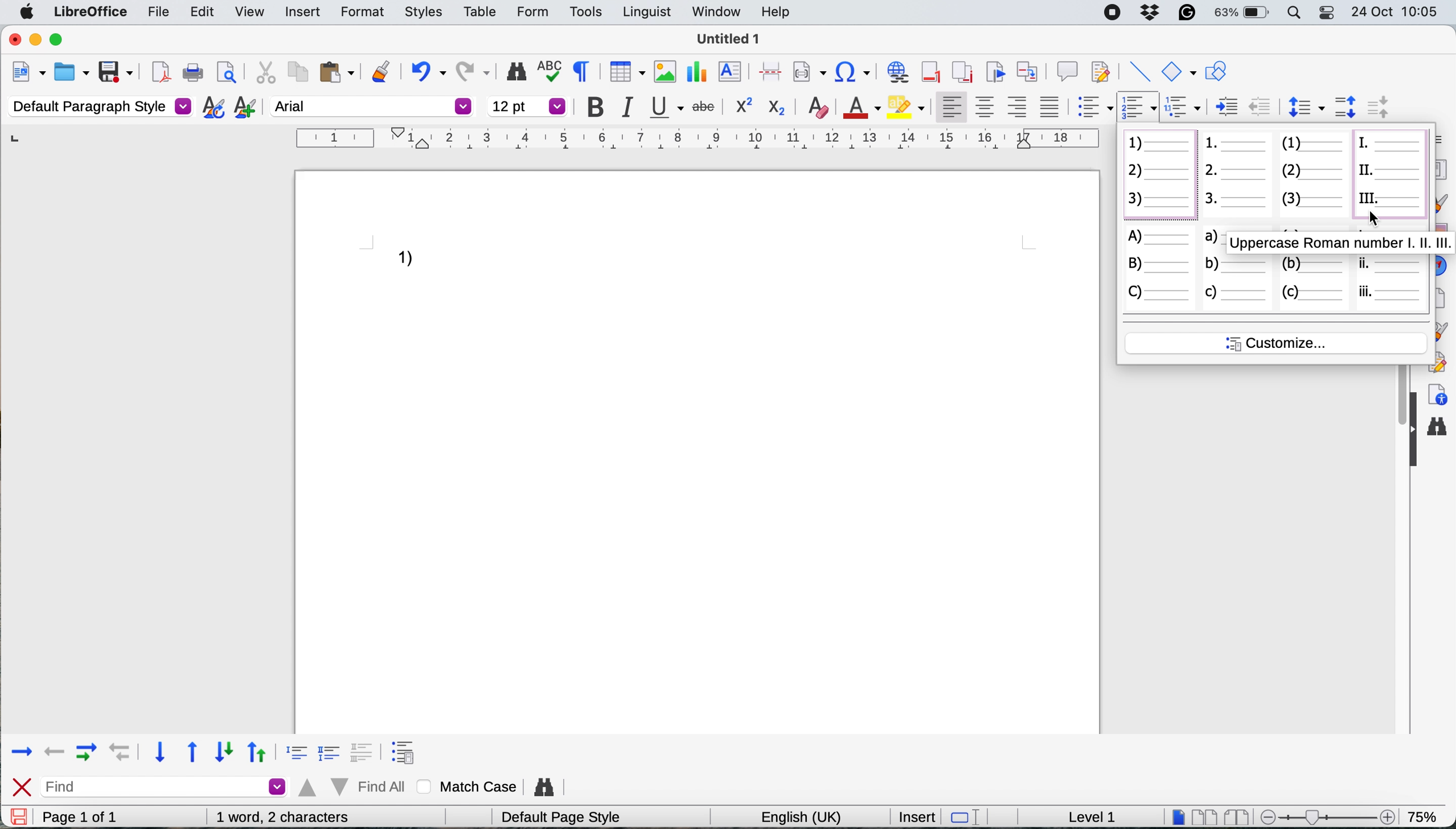 The height and width of the screenshot is (829, 1456). Describe the element at coordinates (1331, 813) in the screenshot. I see `zoom scale` at that location.